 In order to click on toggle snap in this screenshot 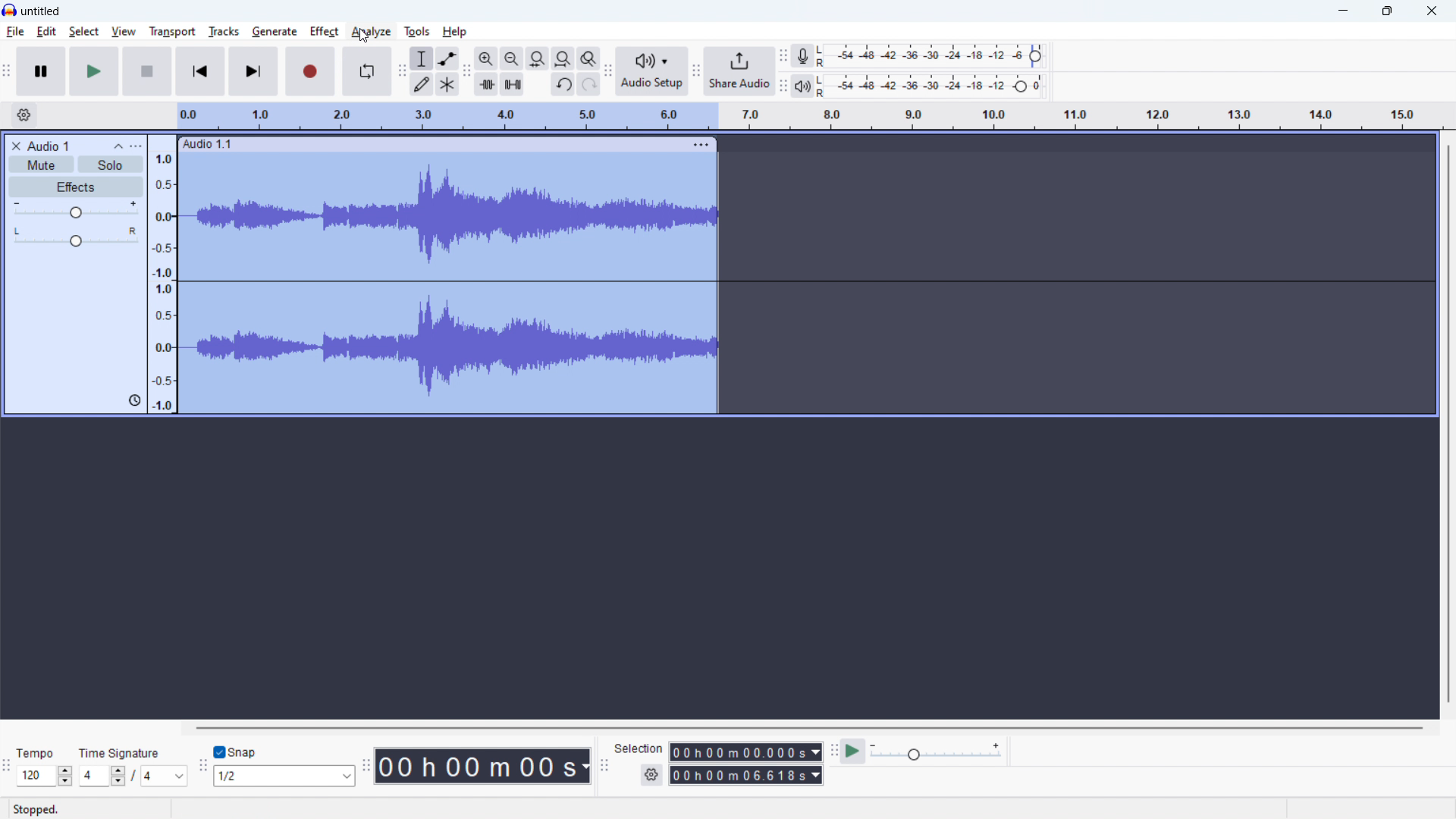, I will do `click(236, 752)`.